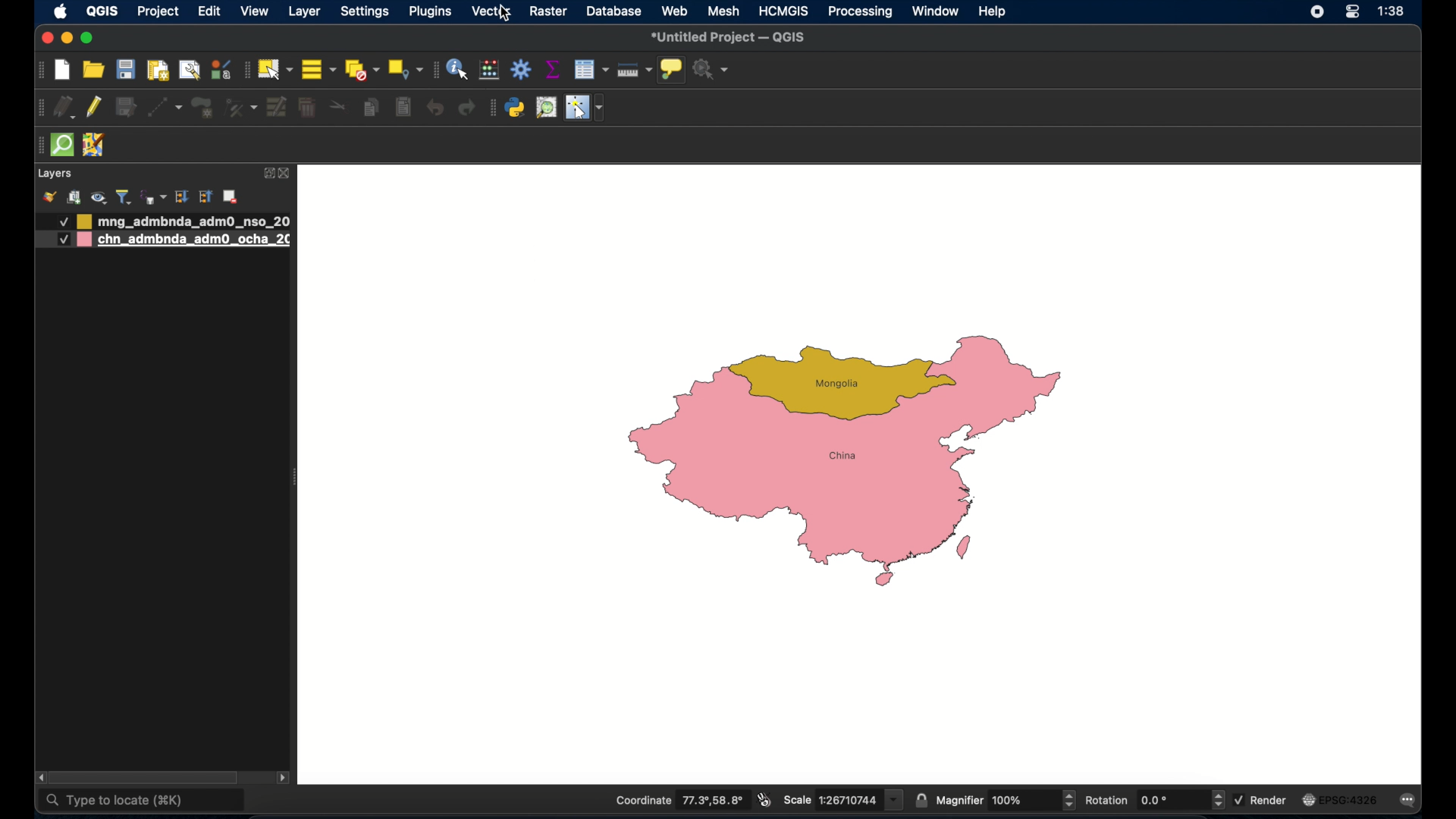  What do you see at coordinates (680, 801) in the screenshot?
I see `coordinate` at bounding box center [680, 801].